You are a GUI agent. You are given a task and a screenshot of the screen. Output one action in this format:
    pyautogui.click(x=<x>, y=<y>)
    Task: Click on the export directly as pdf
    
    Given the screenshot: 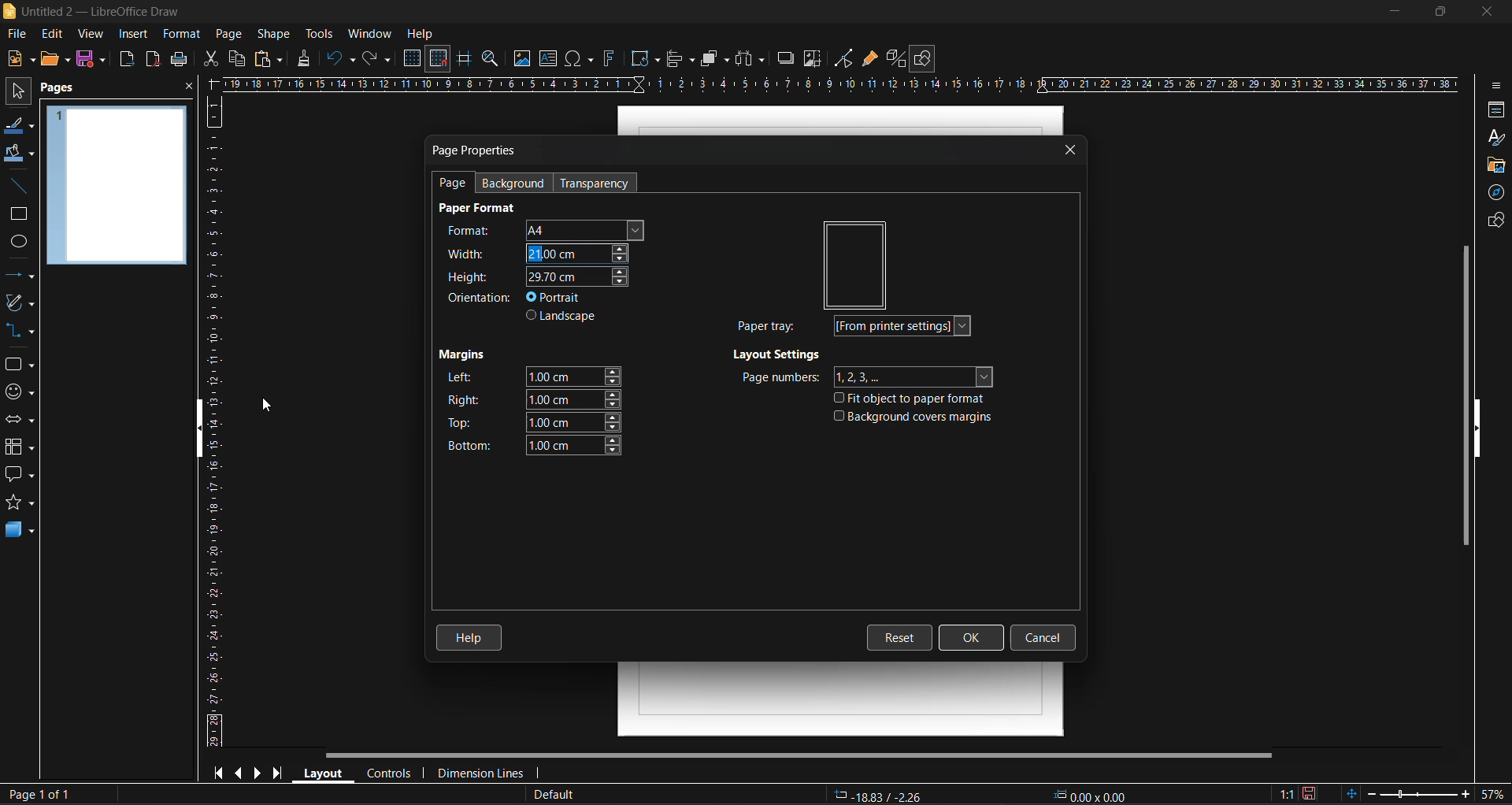 What is the action you would take?
    pyautogui.click(x=152, y=59)
    